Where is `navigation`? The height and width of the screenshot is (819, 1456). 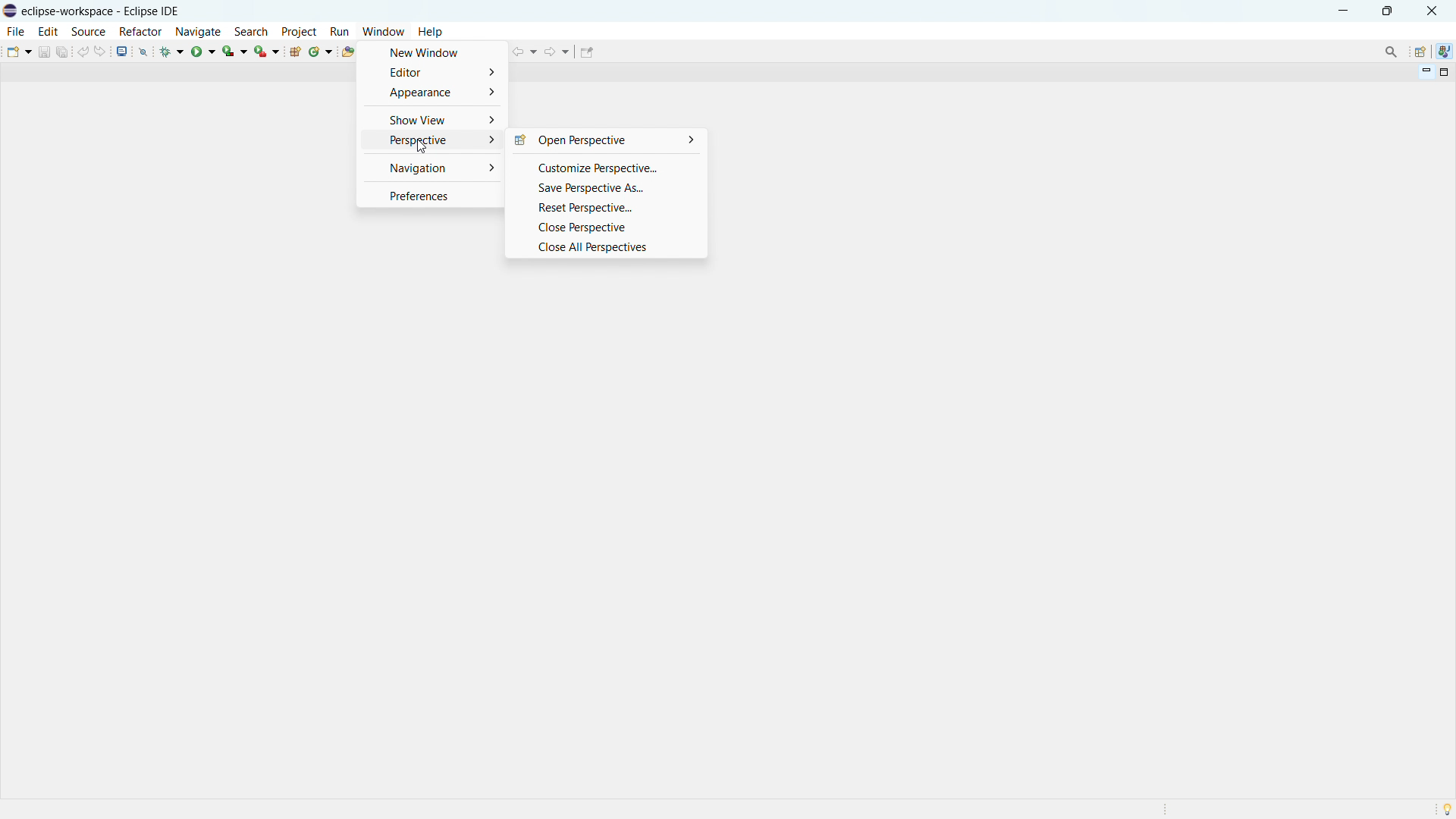 navigation is located at coordinates (432, 168).